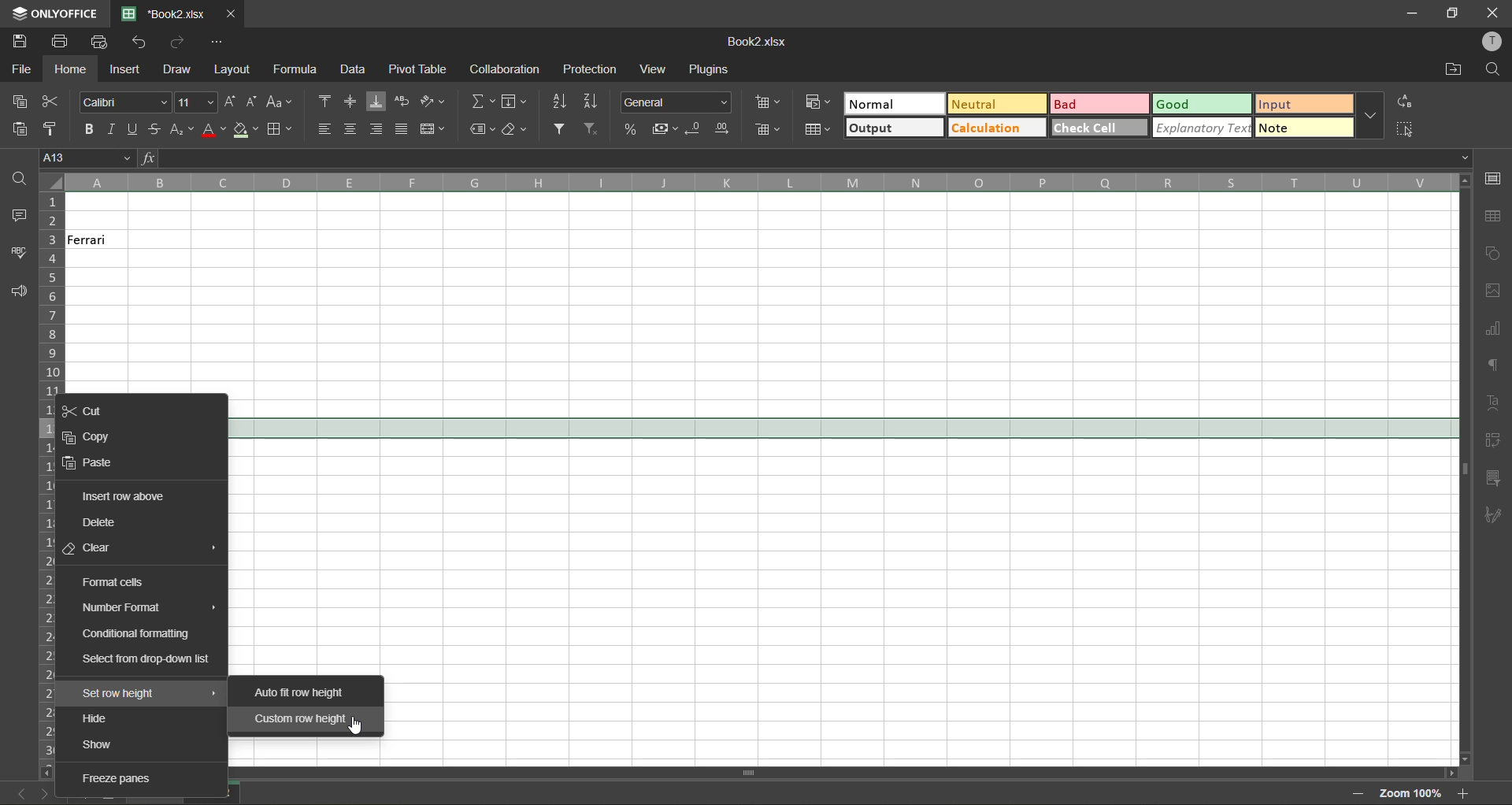  What do you see at coordinates (817, 102) in the screenshot?
I see `conditional formatting` at bounding box center [817, 102].